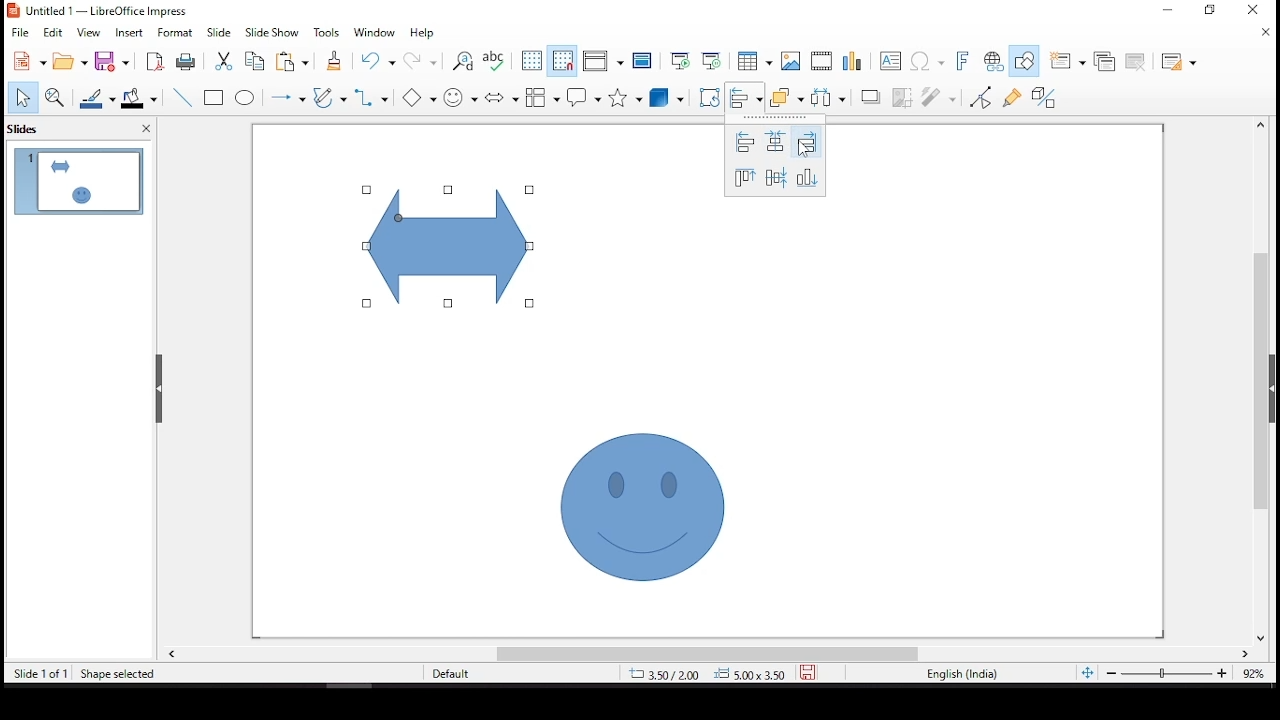 The height and width of the screenshot is (720, 1280). What do you see at coordinates (994, 63) in the screenshot?
I see `insert hyperlink` at bounding box center [994, 63].